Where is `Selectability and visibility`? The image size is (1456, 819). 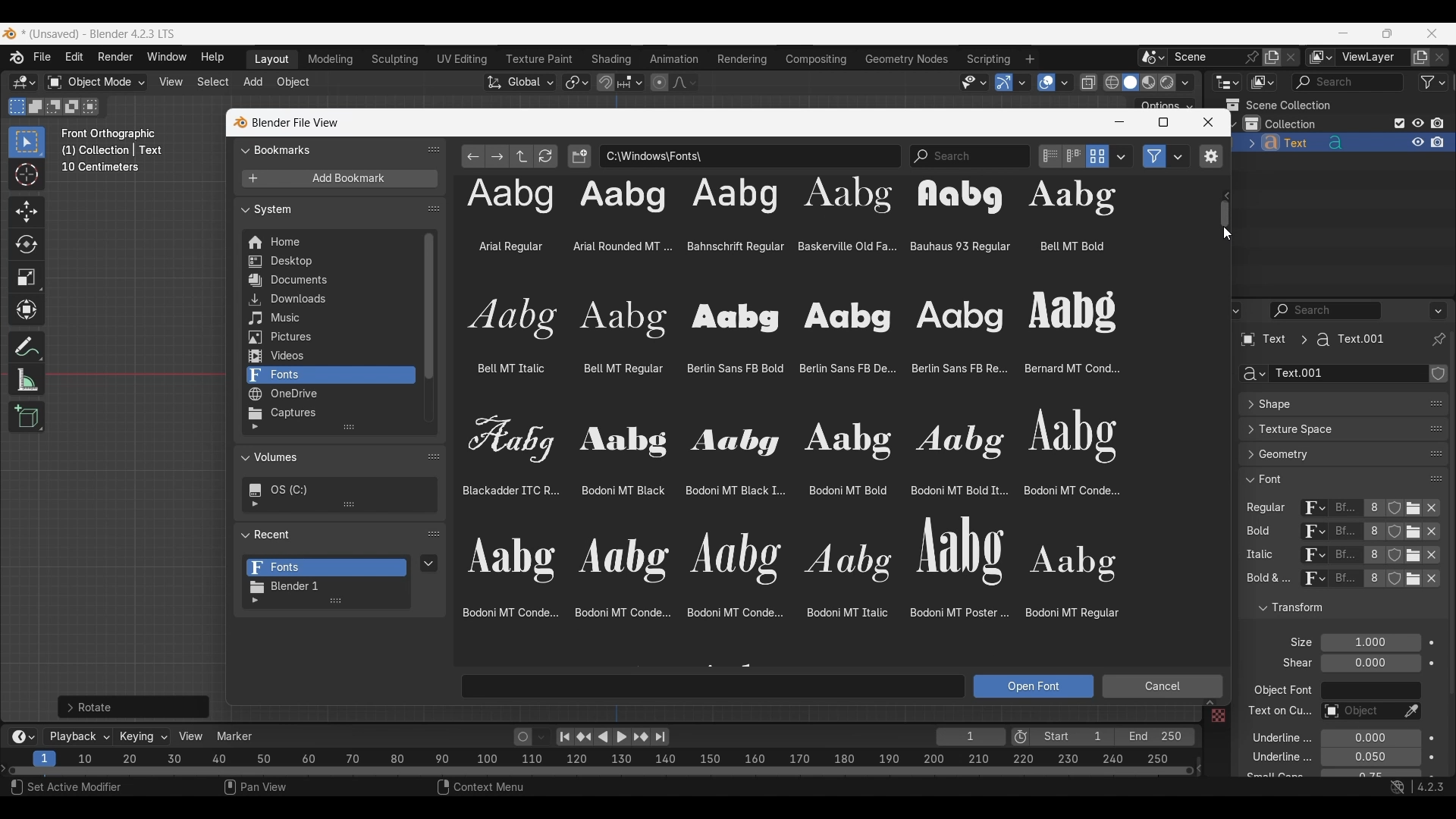
Selectability and visibility is located at coordinates (974, 83).